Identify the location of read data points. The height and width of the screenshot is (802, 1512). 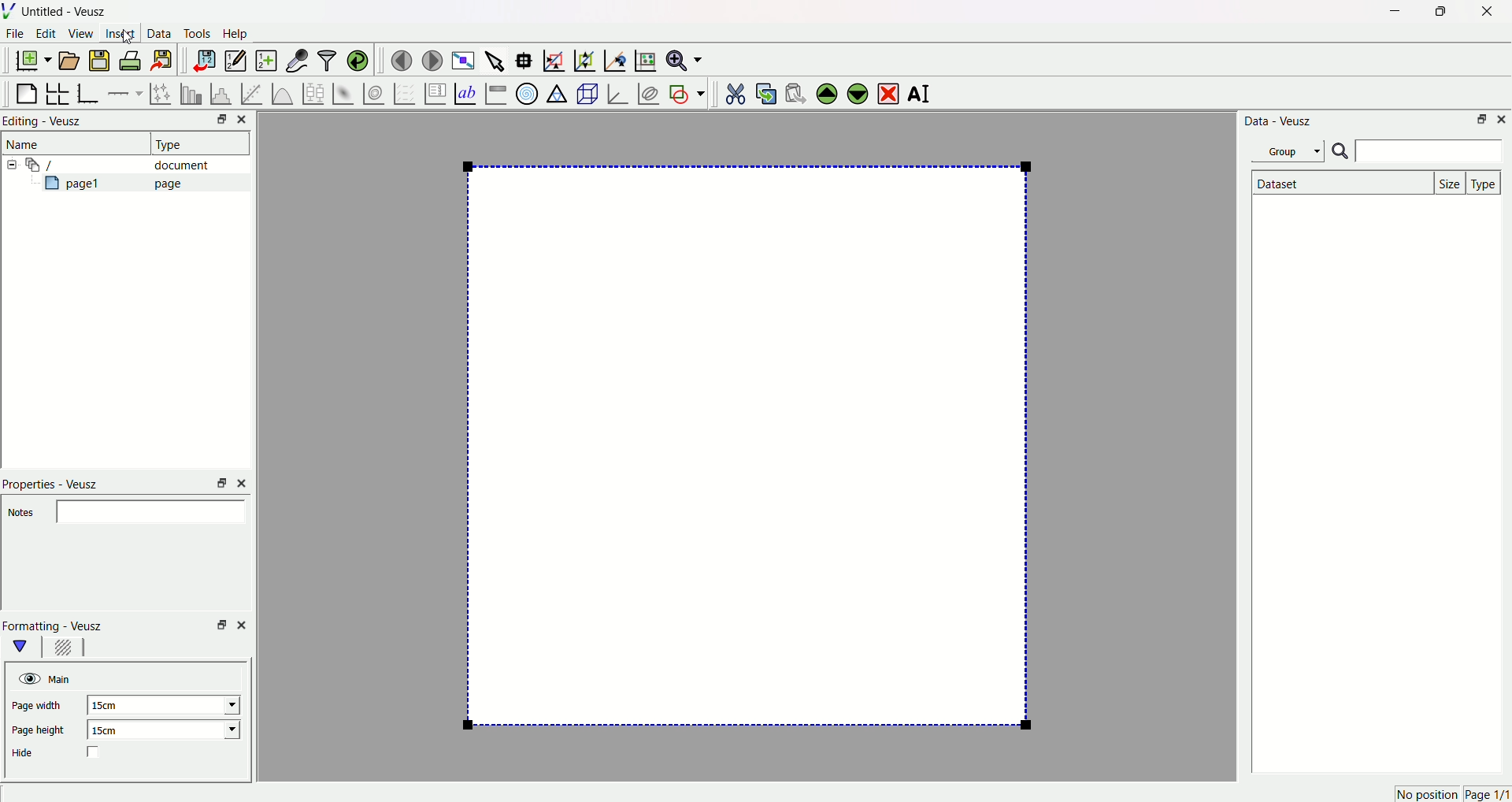
(527, 58).